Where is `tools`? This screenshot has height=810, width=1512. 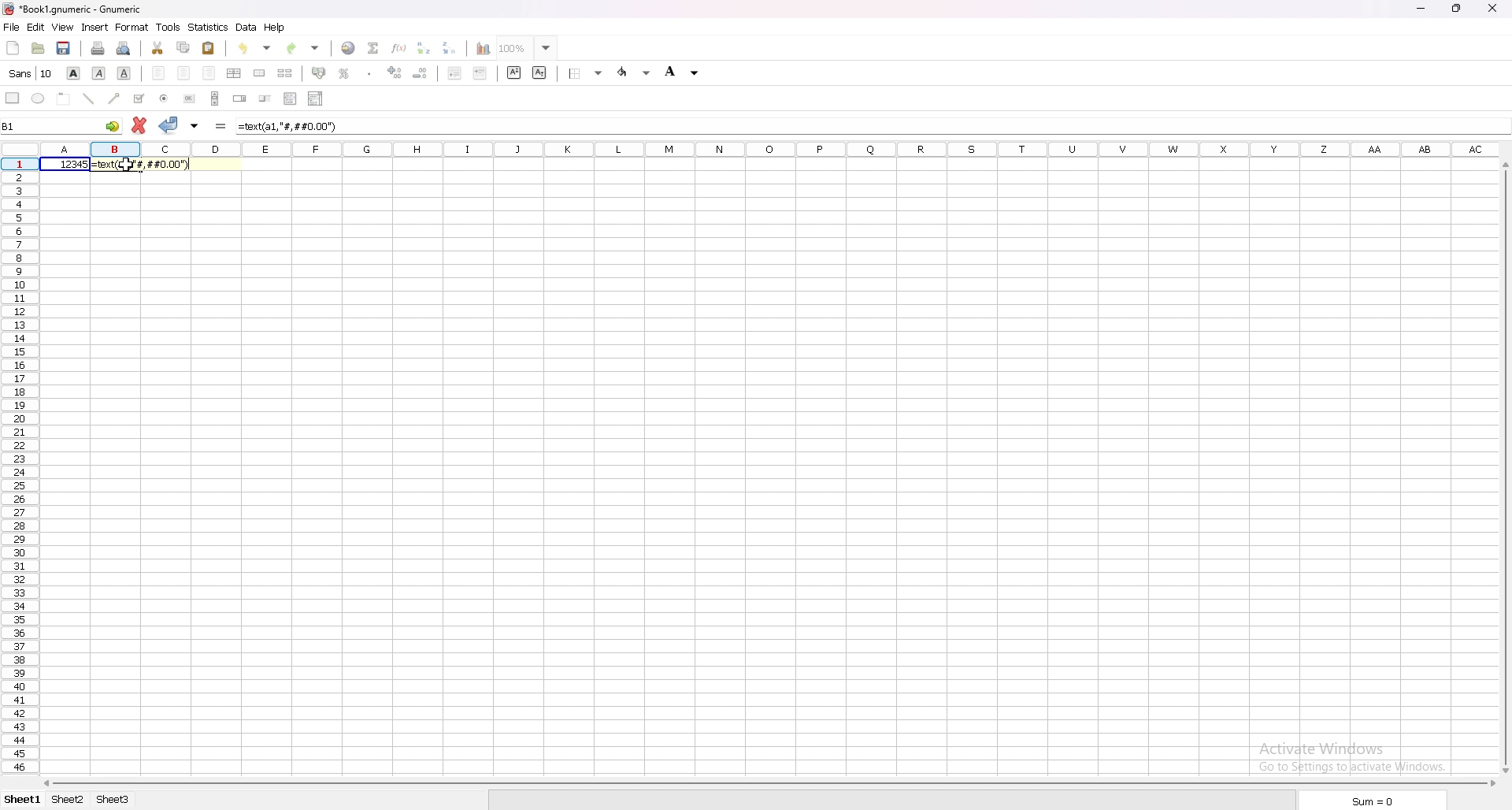 tools is located at coordinates (169, 27).